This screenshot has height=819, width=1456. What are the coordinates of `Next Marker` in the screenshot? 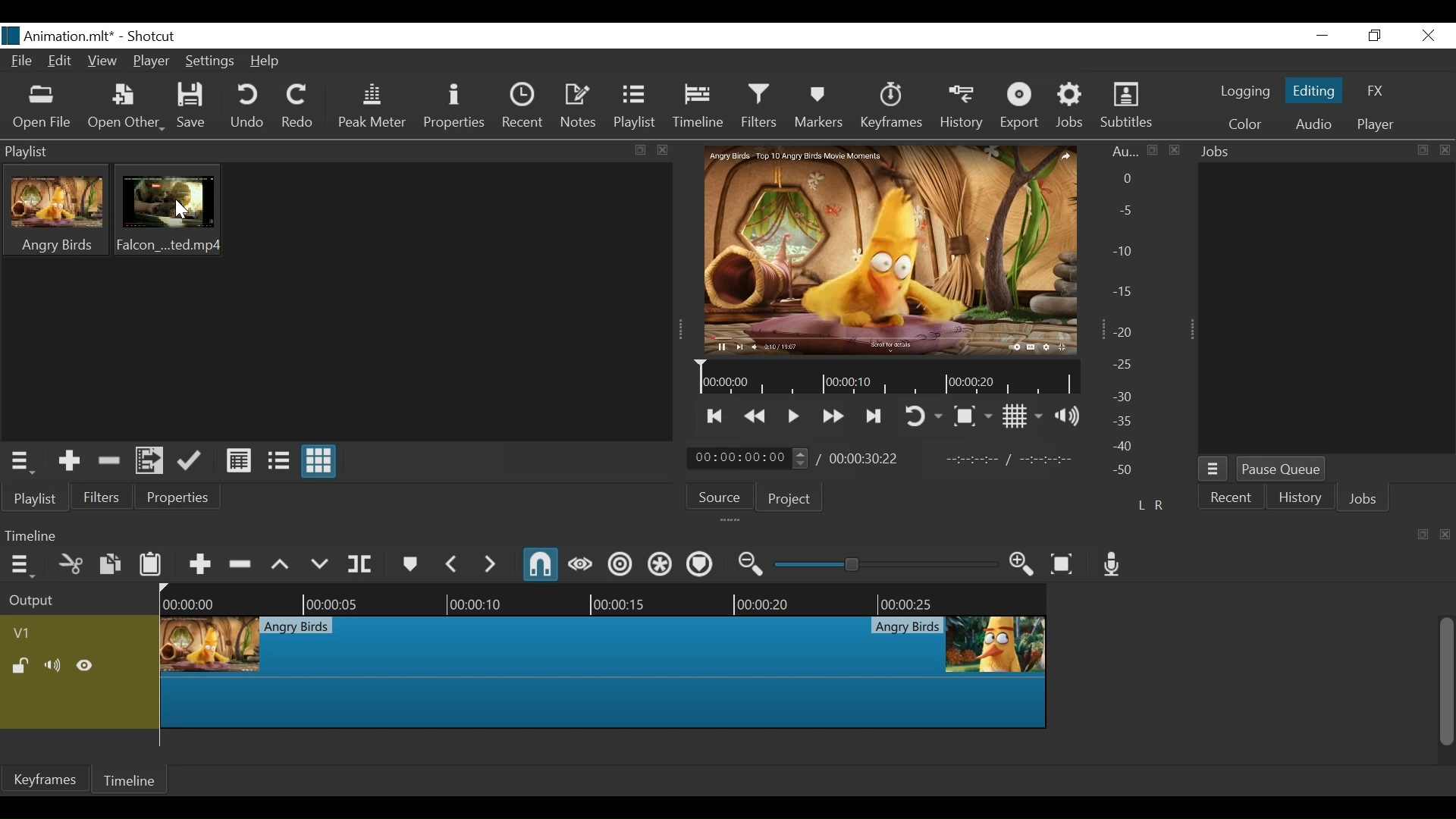 It's located at (489, 563).